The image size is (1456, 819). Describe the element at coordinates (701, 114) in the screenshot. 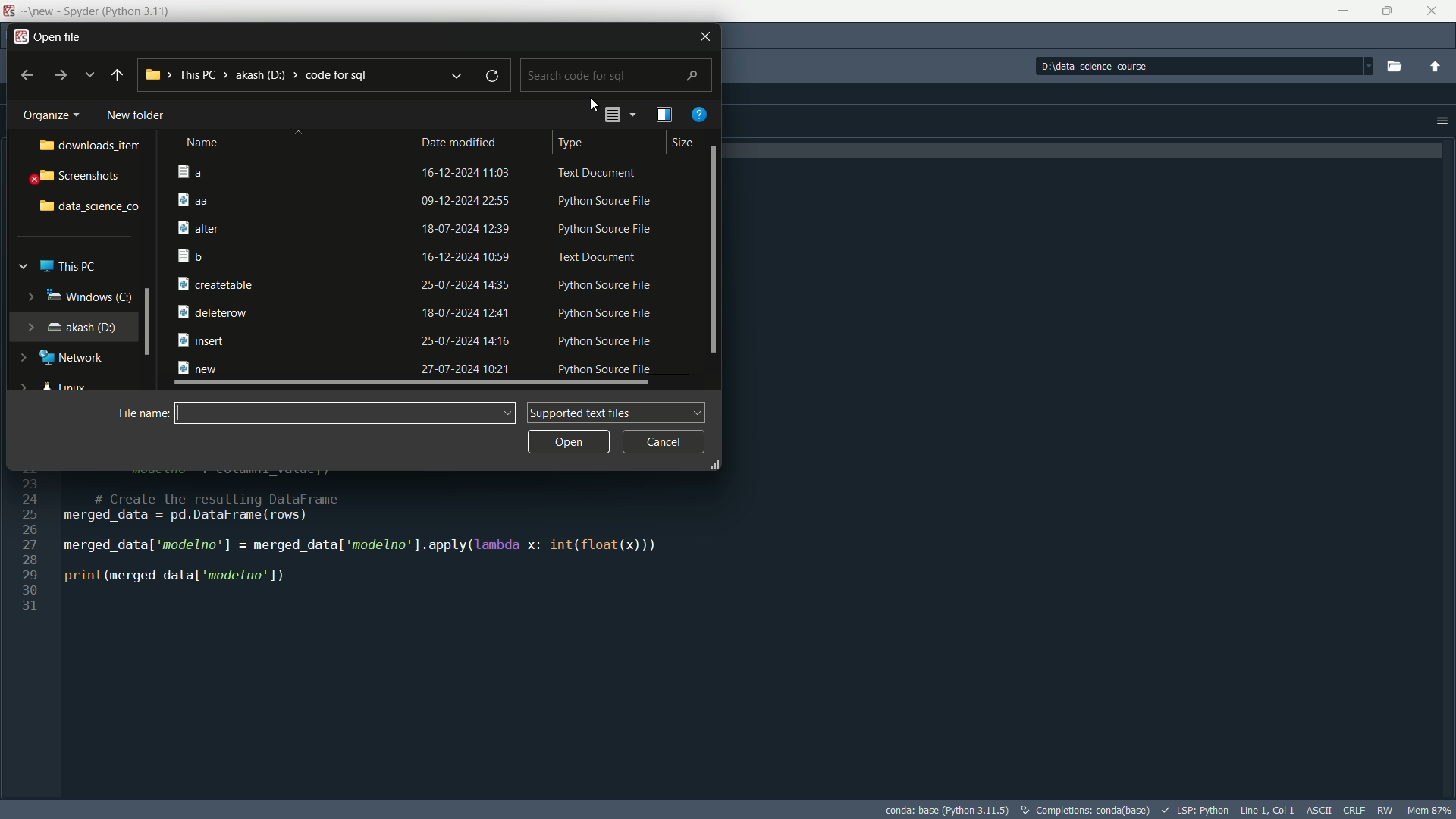

I see `get help` at that location.